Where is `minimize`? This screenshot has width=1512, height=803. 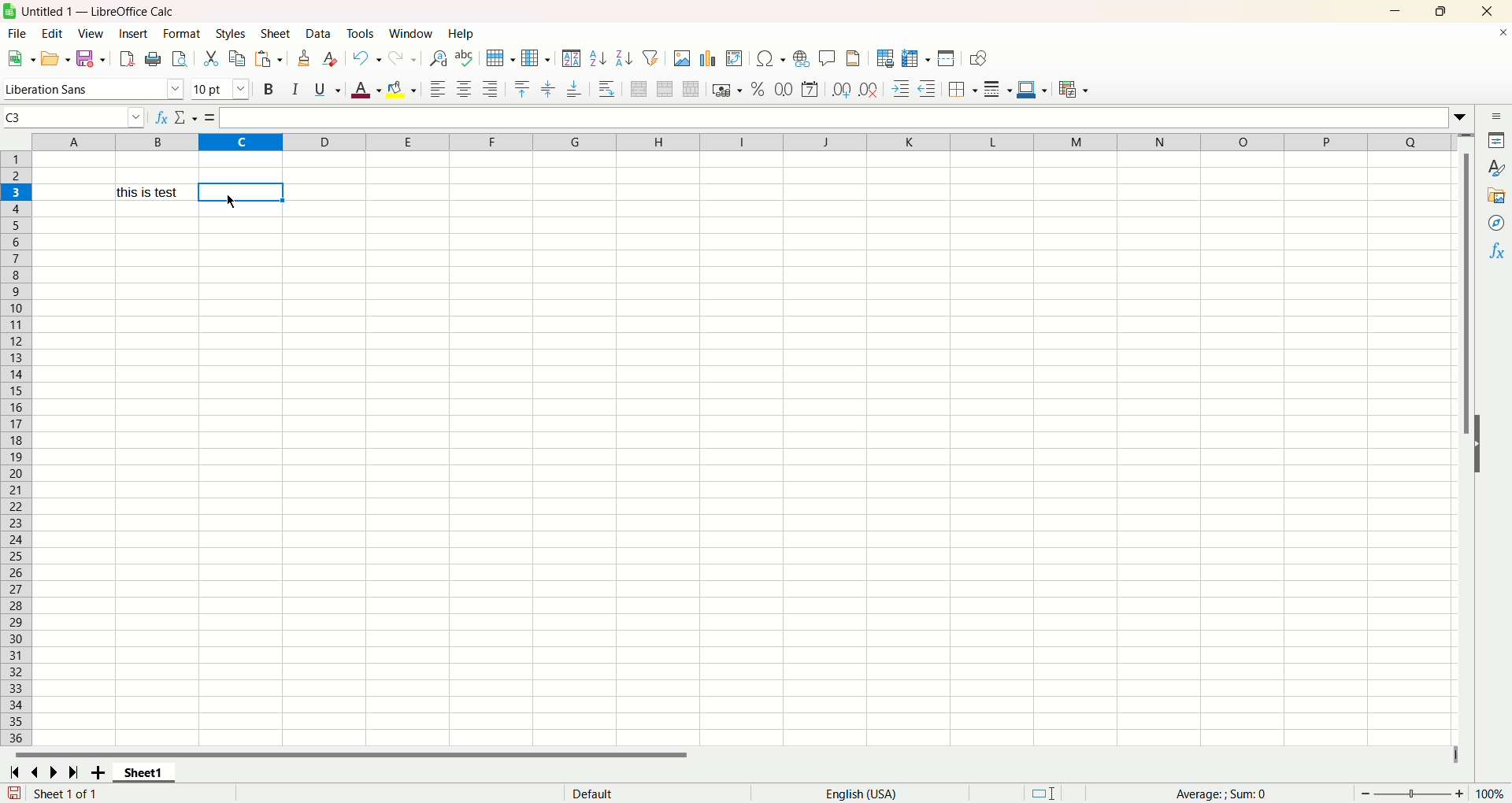
minimize is located at coordinates (1396, 12).